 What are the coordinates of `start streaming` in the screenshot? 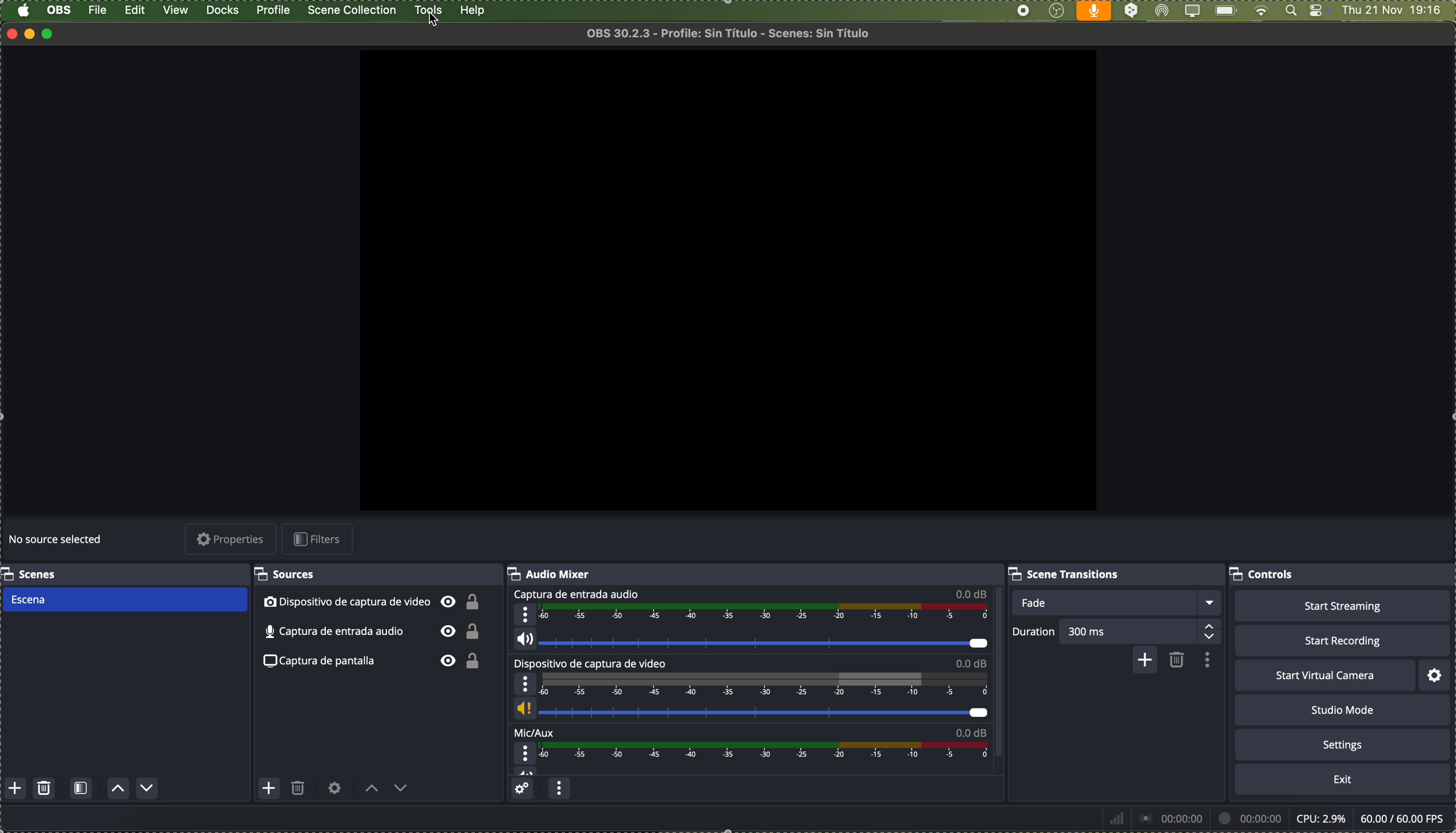 It's located at (1342, 606).